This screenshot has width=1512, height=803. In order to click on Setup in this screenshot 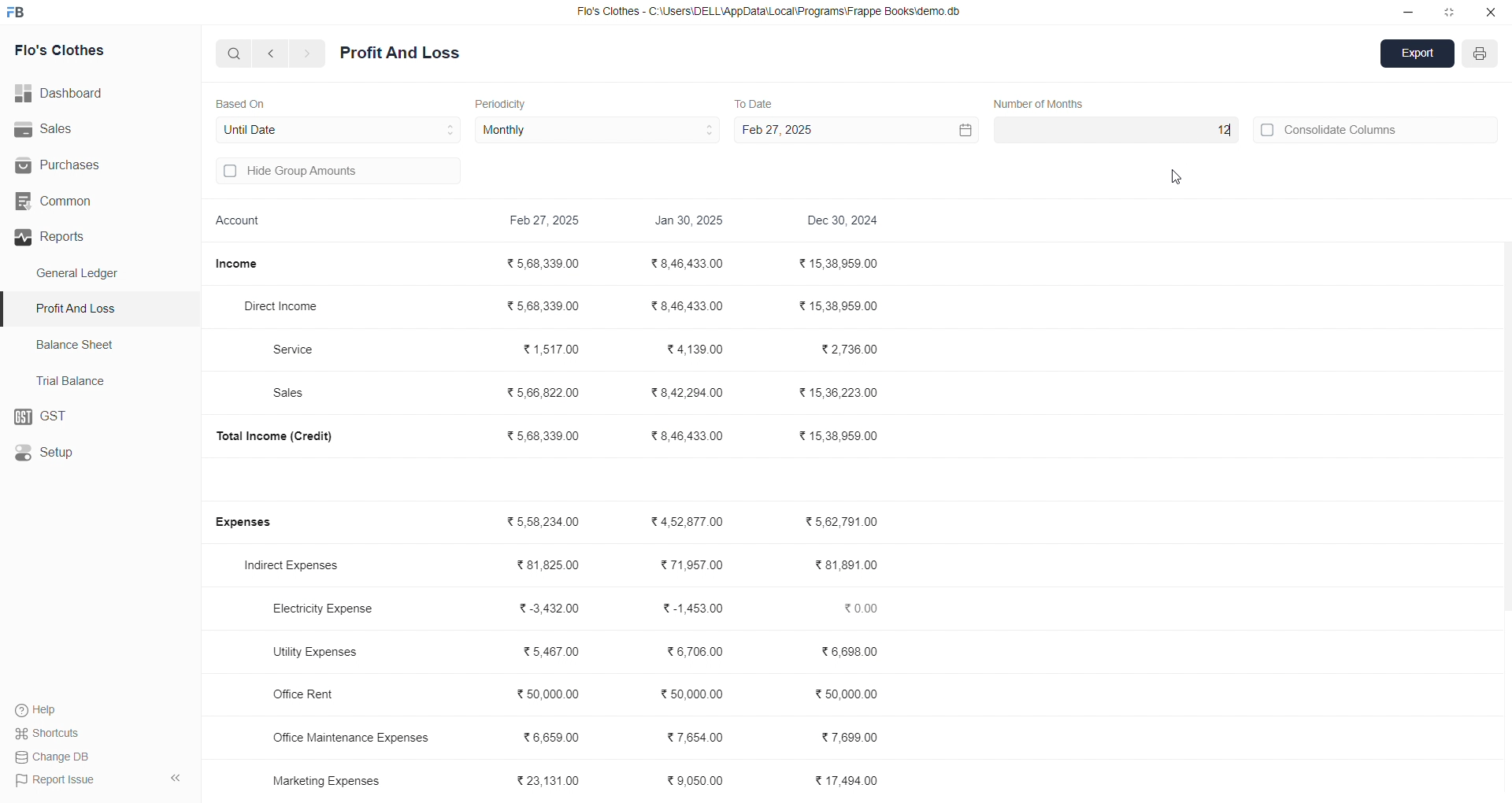, I will do `click(91, 453)`.